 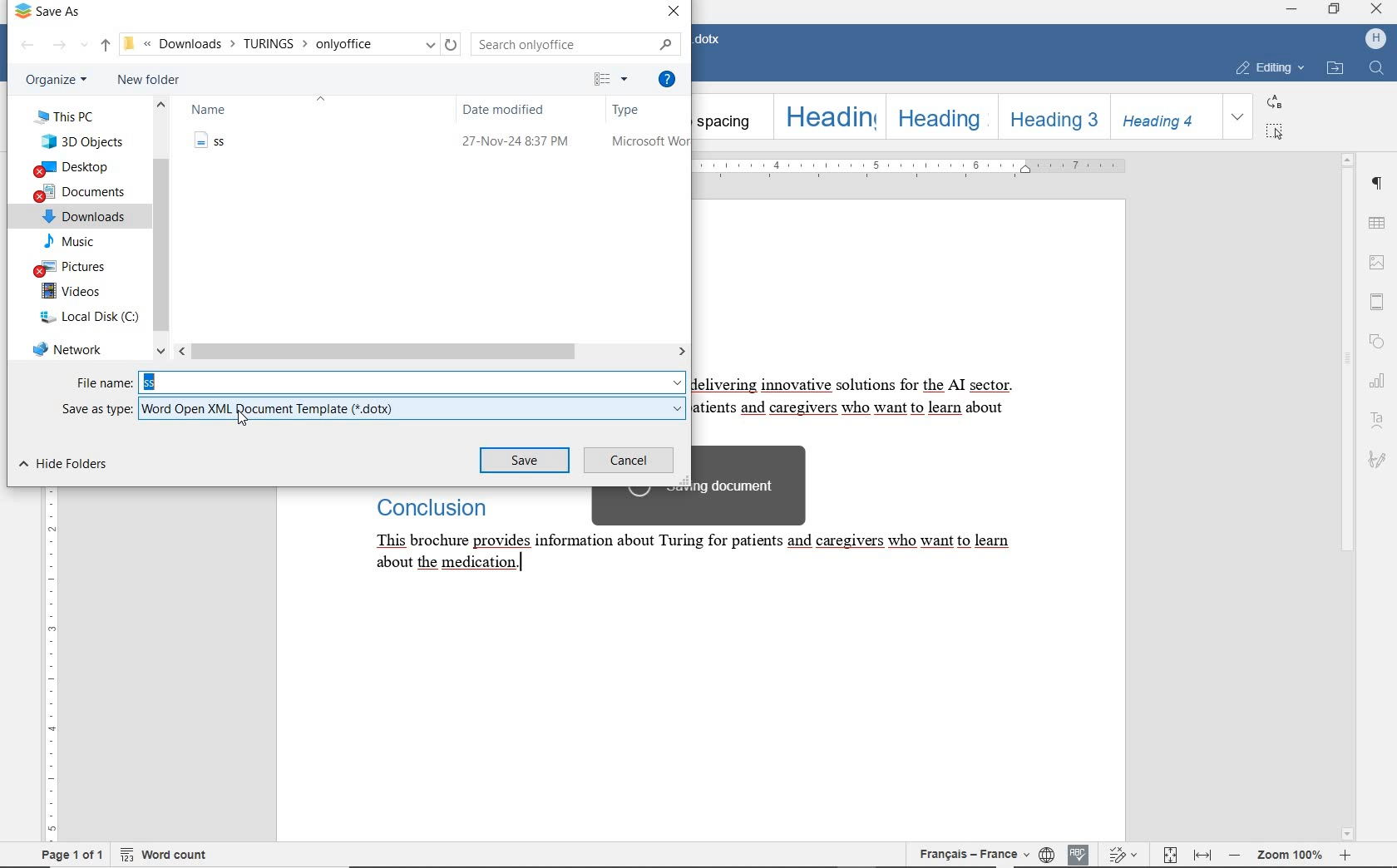 I want to click on SAVE AS TYPE, so click(x=98, y=410).